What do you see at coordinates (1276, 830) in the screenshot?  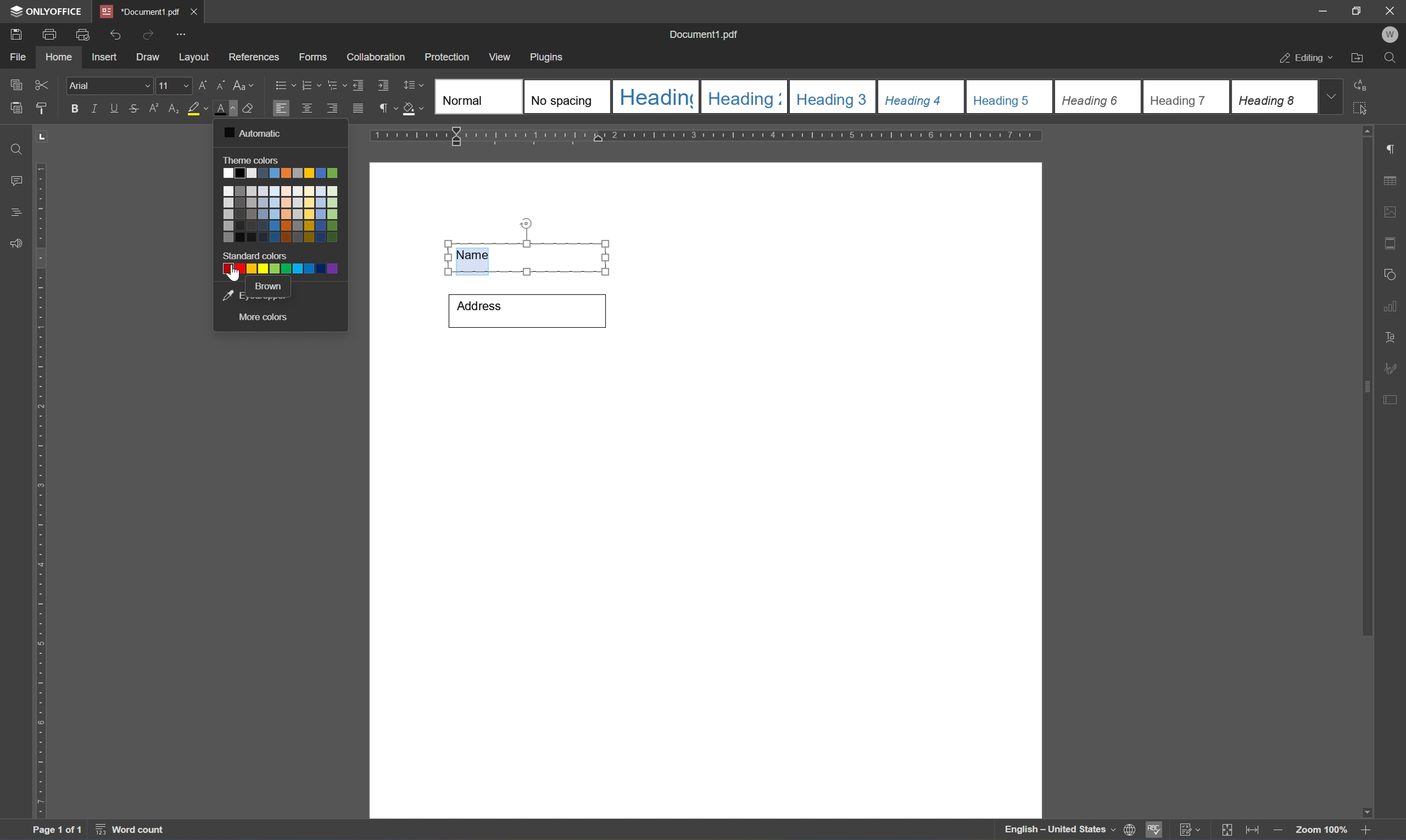 I see `zoom in` at bounding box center [1276, 830].